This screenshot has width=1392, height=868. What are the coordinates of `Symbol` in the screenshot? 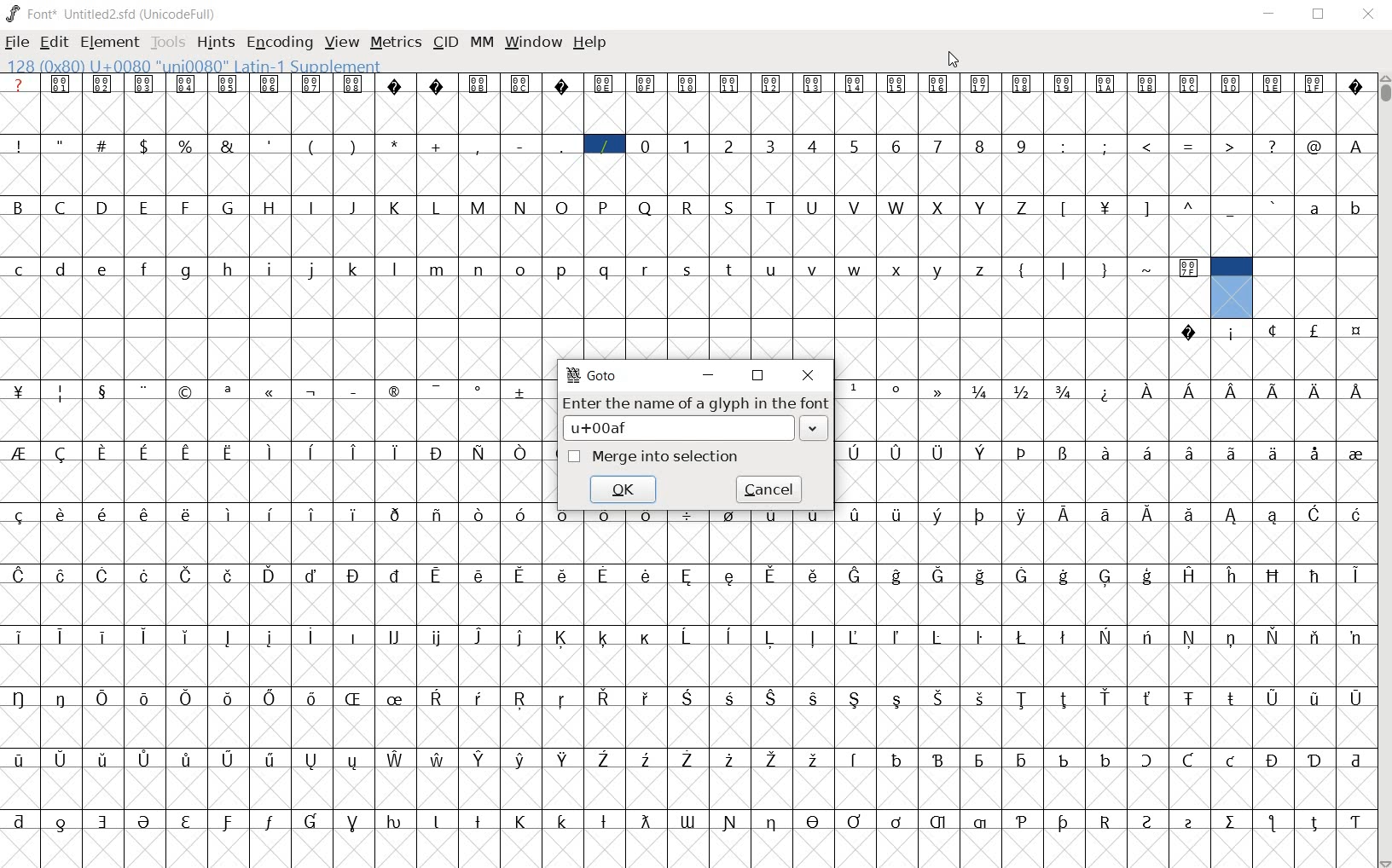 It's located at (771, 84).